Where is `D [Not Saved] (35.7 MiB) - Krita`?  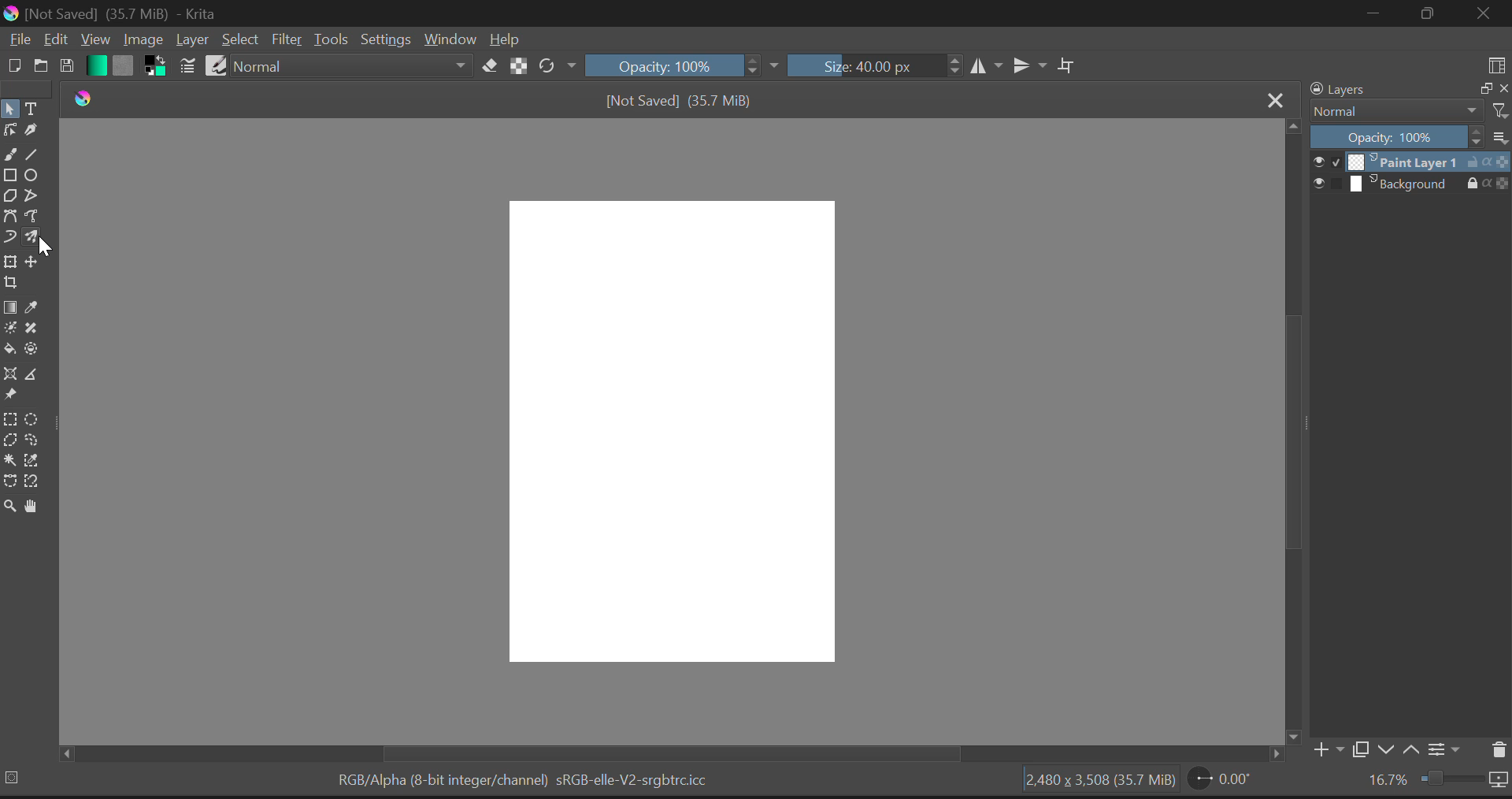 D [Not Saved] (35.7 MiB) - Krita is located at coordinates (121, 13).